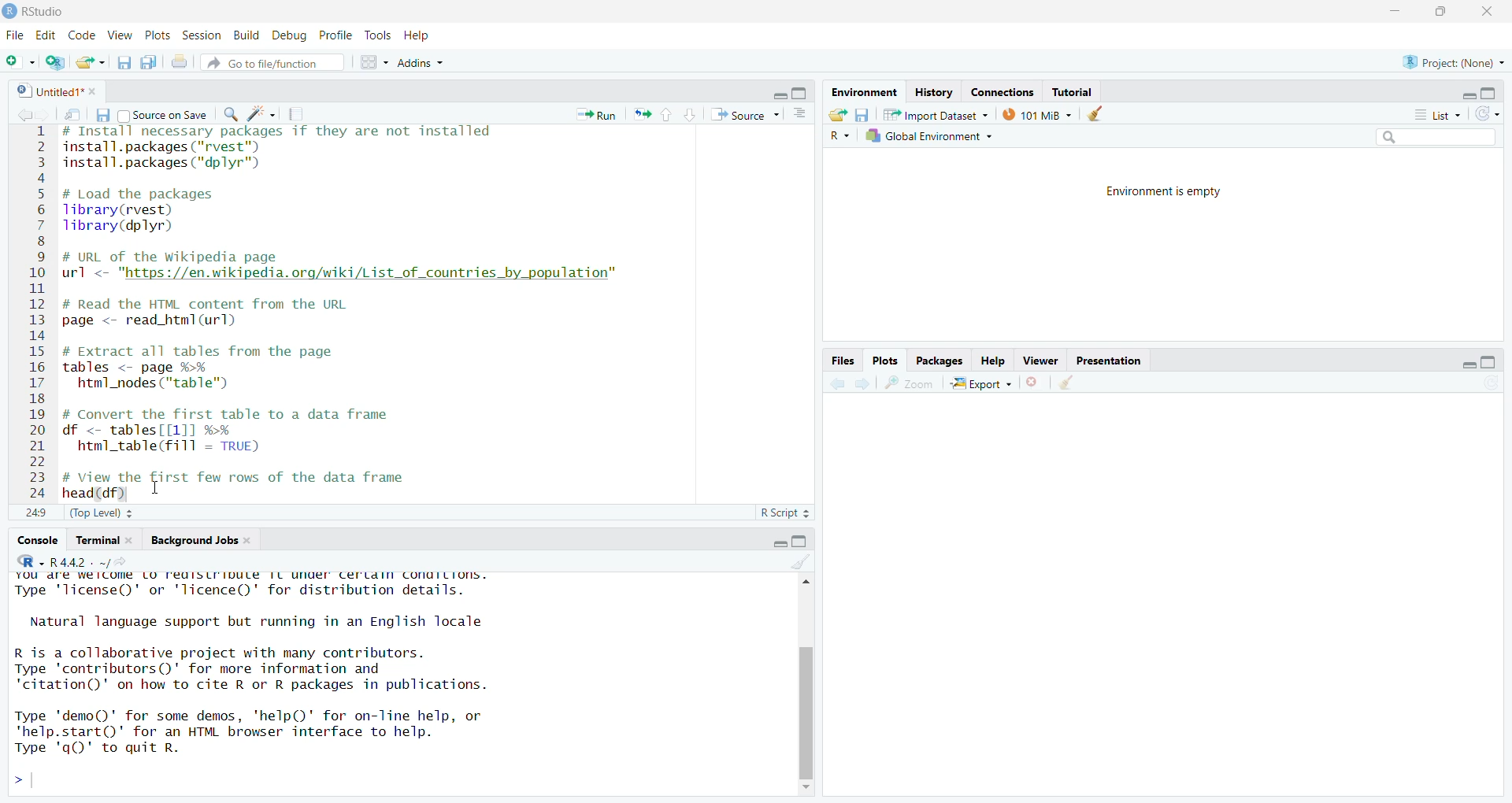 The width and height of the screenshot is (1512, 803). I want to click on Plots, so click(158, 35).